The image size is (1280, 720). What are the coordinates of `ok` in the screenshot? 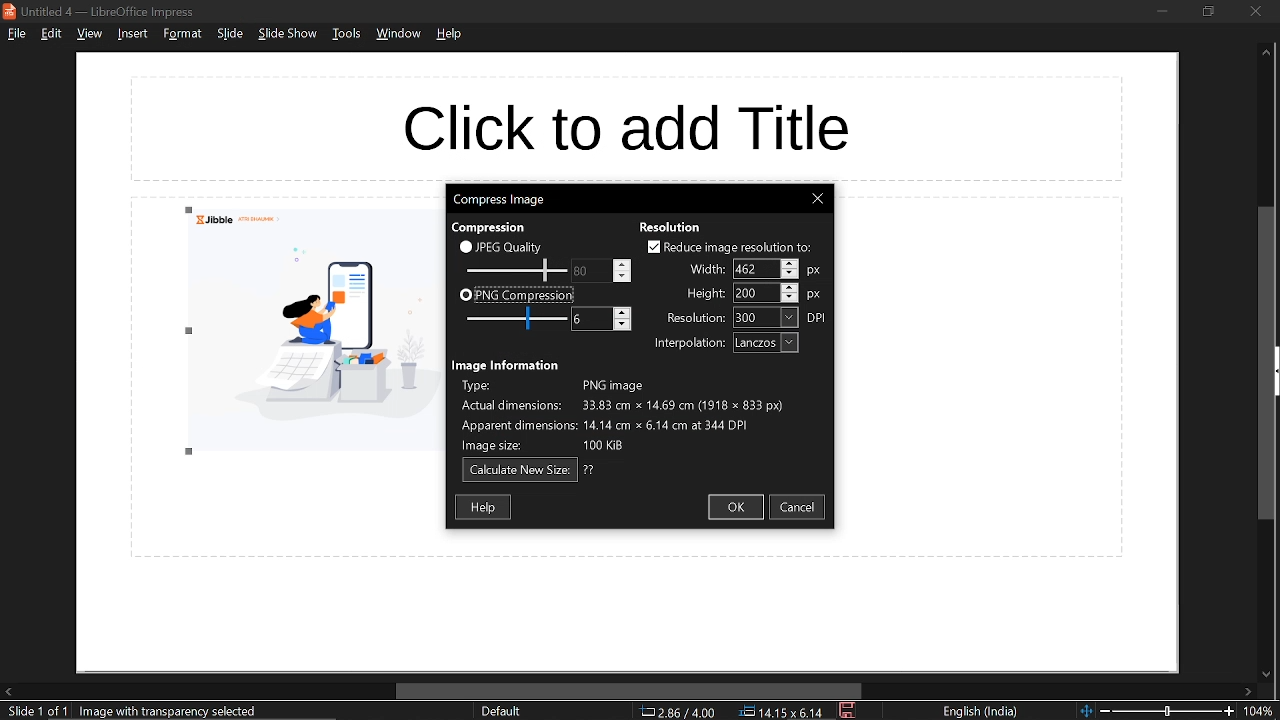 It's located at (735, 507).